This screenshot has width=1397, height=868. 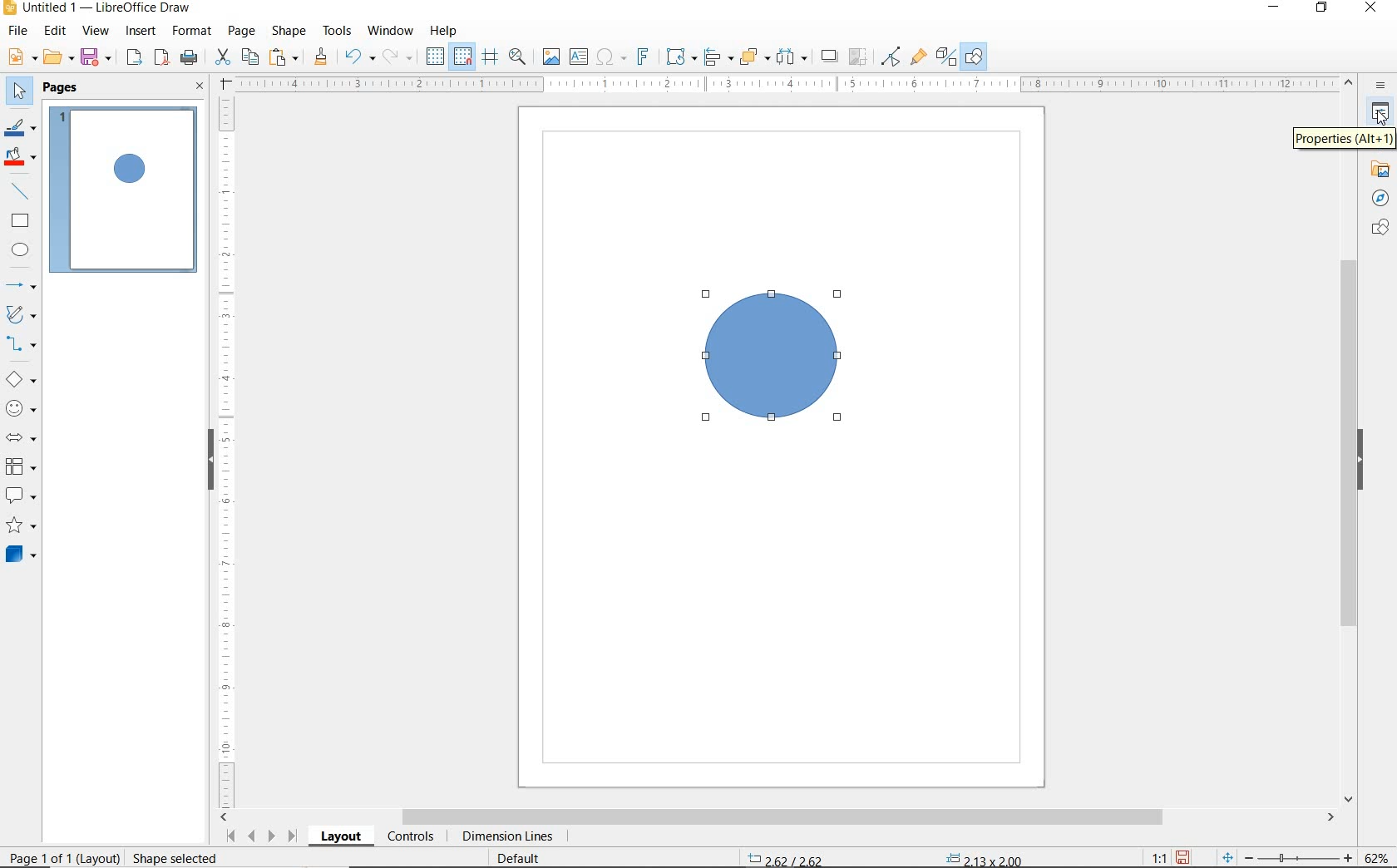 I want to click on INSERT, so click(x=141, y=32).